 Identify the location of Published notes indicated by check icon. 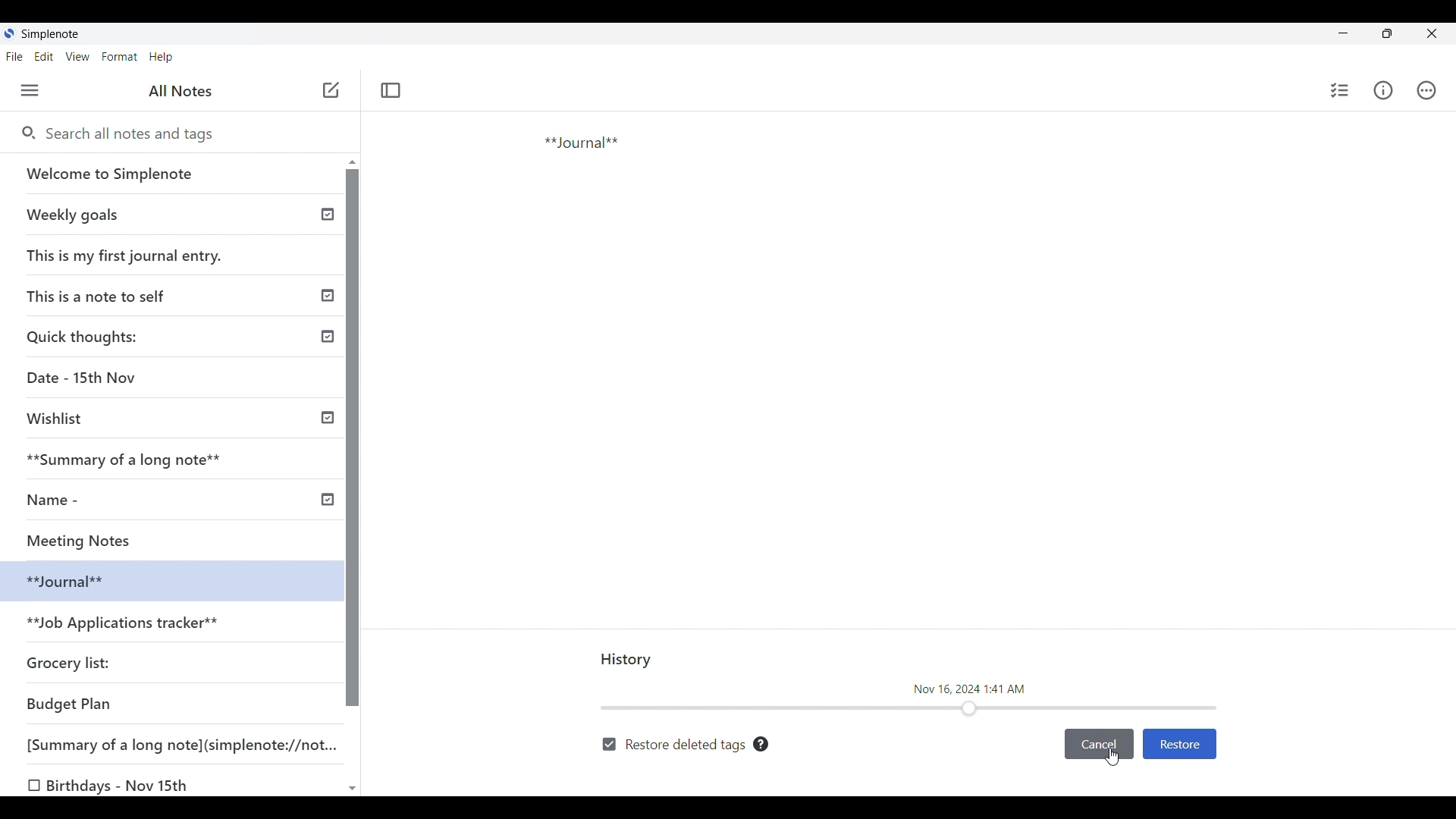
(328, 357).